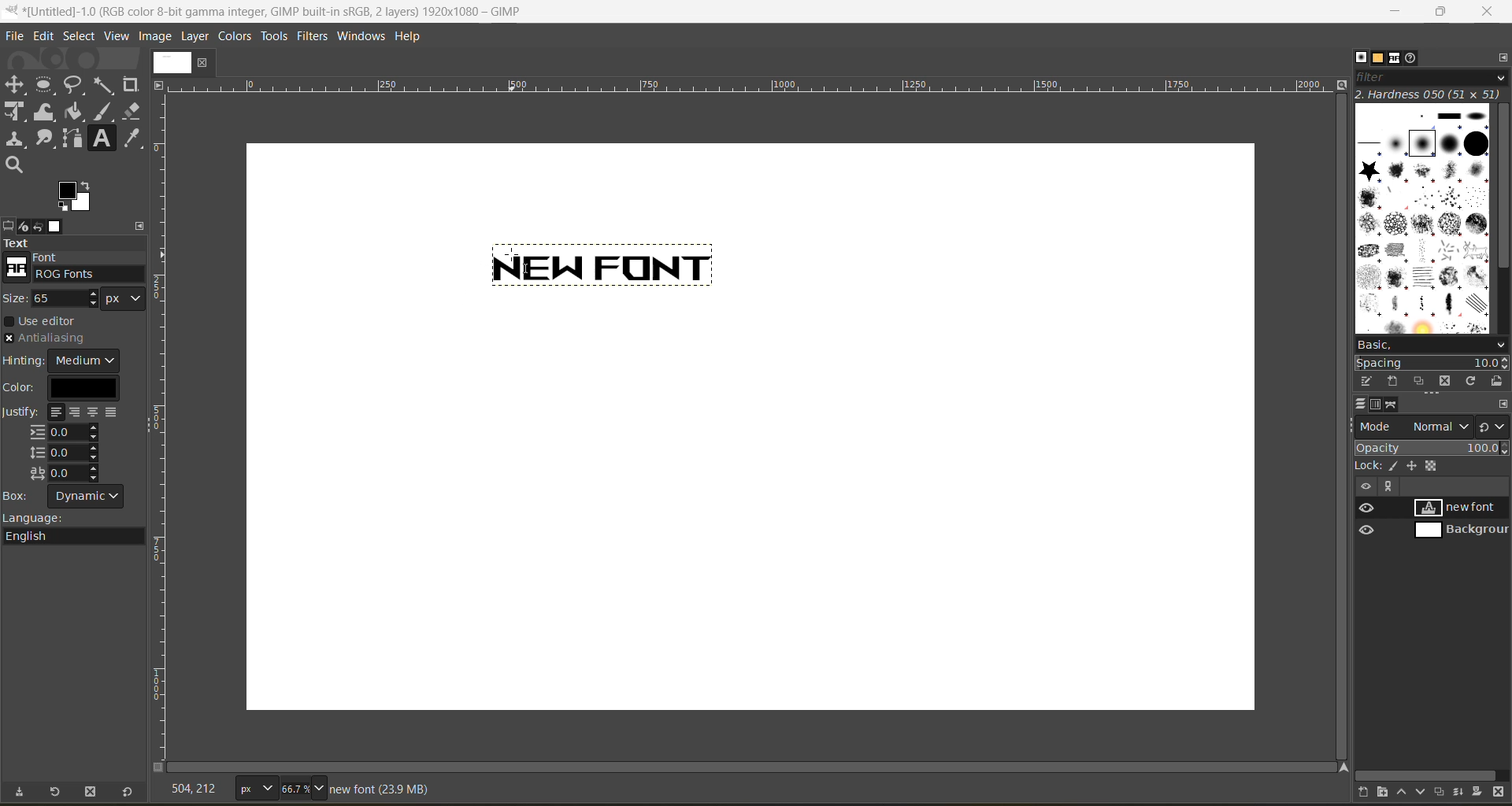 The width and height of the screenshot is (1512, 806). Describe the element at coordinates (41, 35) in the screenshot. I see `edit` at that location.